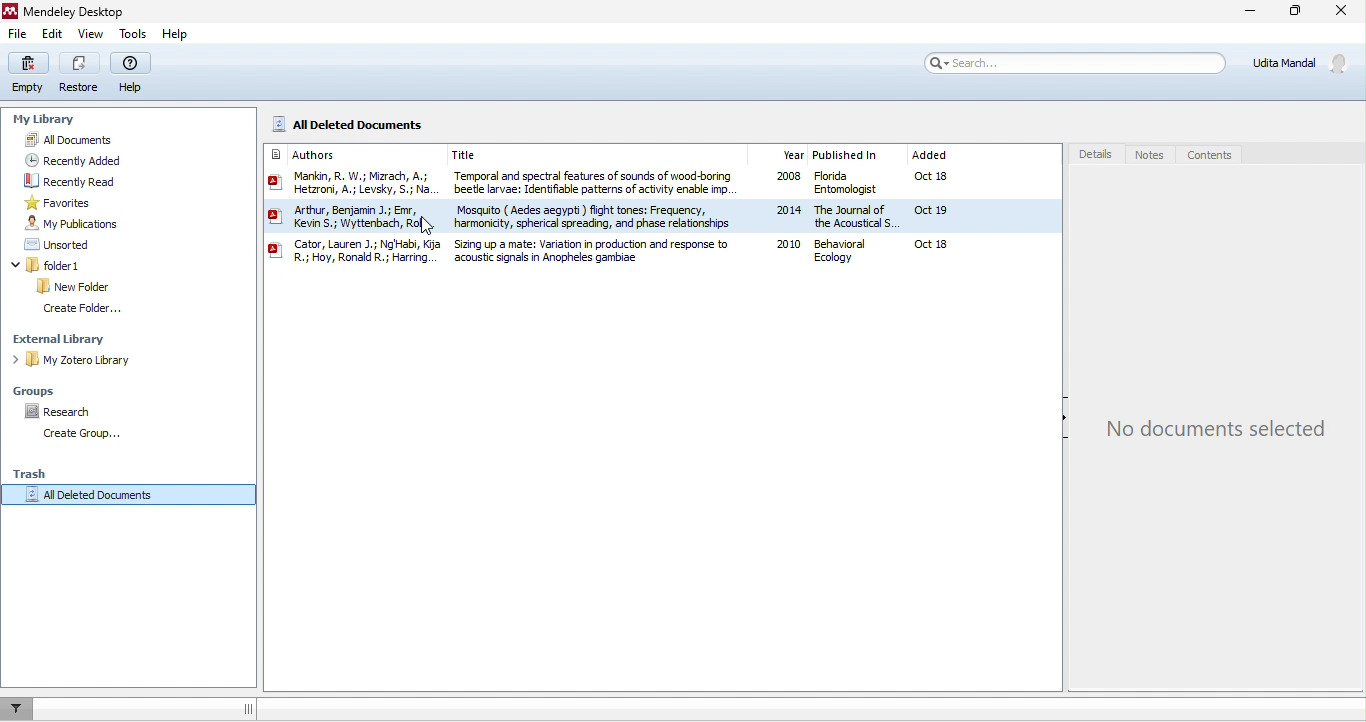 The image size is (1366, 722). What do you see at coordinates (20, 33) in the screenshot?
I see `file ` at bounding box center [20, 33].